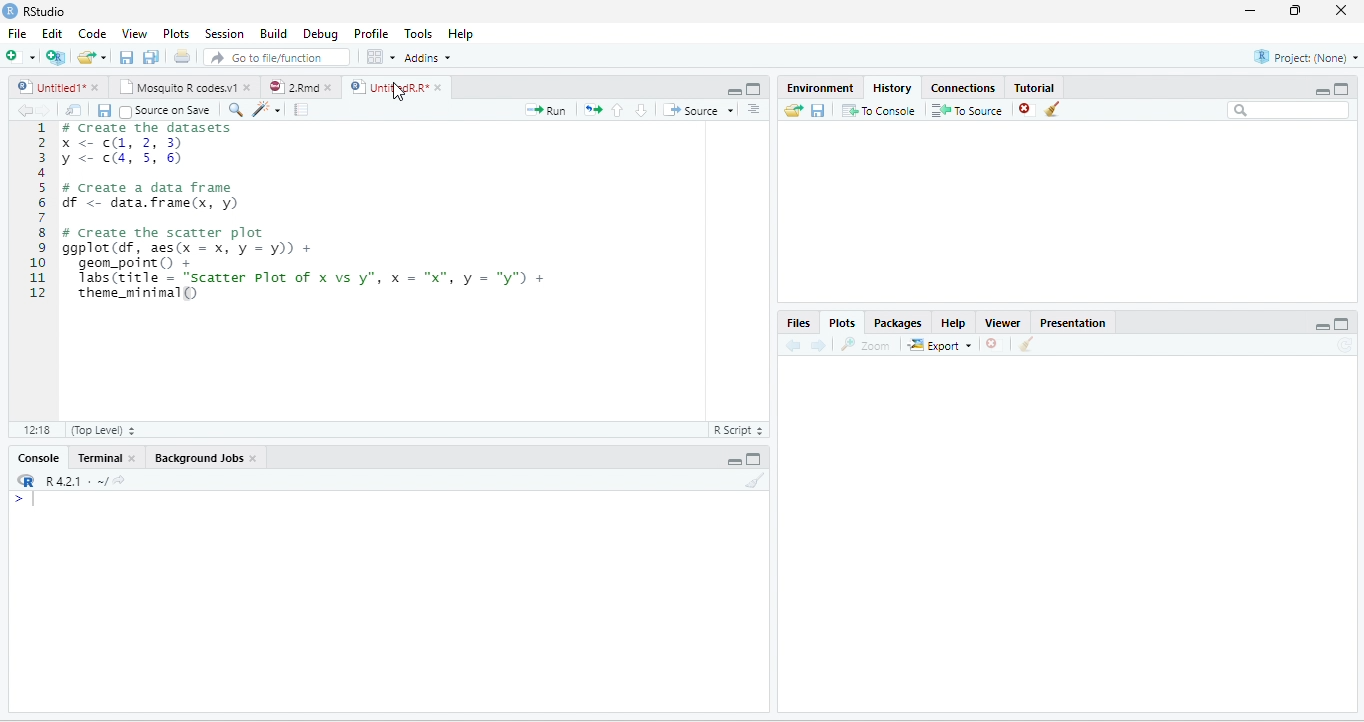  Describe the element at coordinates (1297, 11) in the screenshot. I see `restore` at that location.